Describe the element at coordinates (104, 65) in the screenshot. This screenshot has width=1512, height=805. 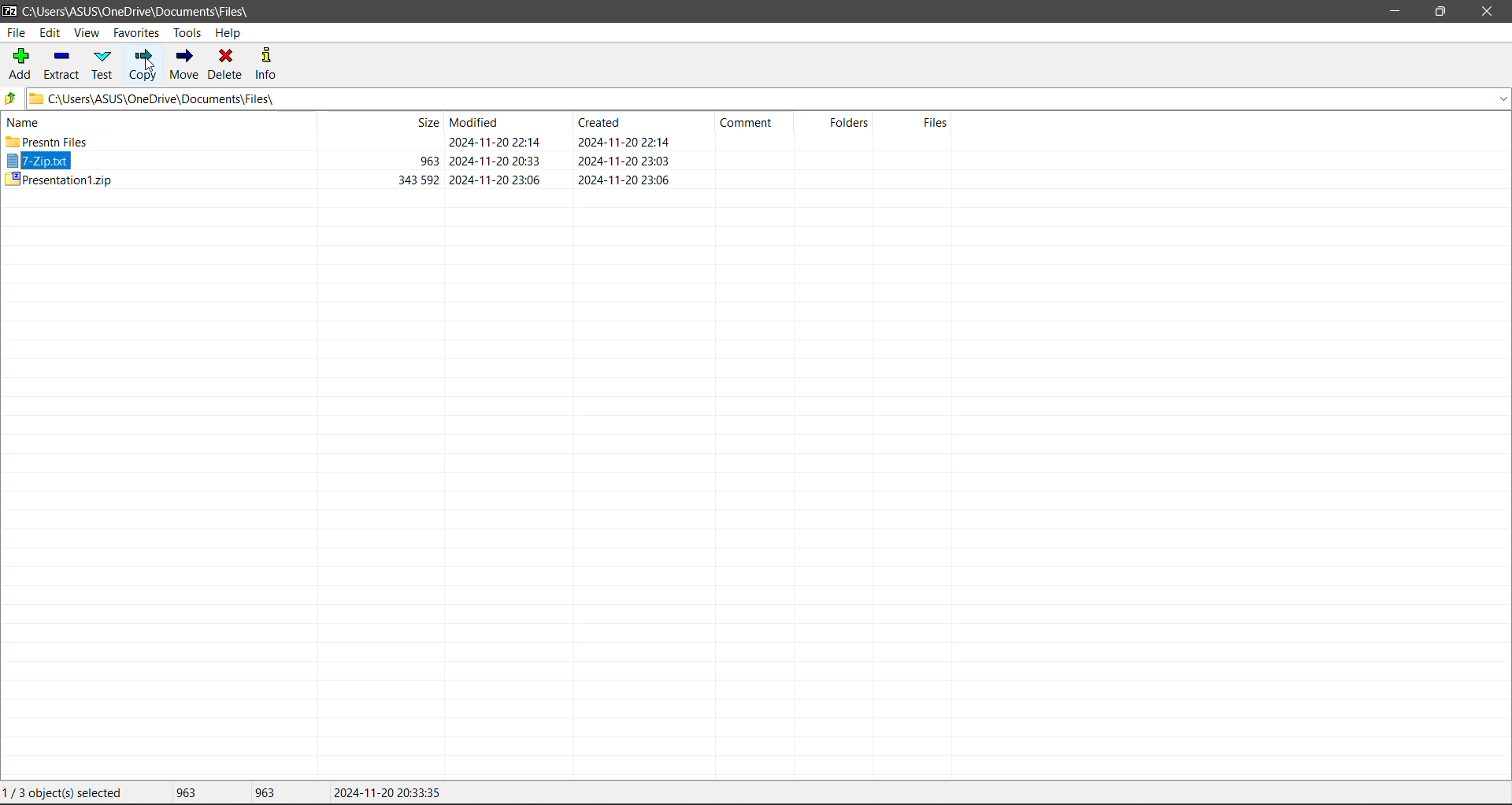
I see `Test` at that location.